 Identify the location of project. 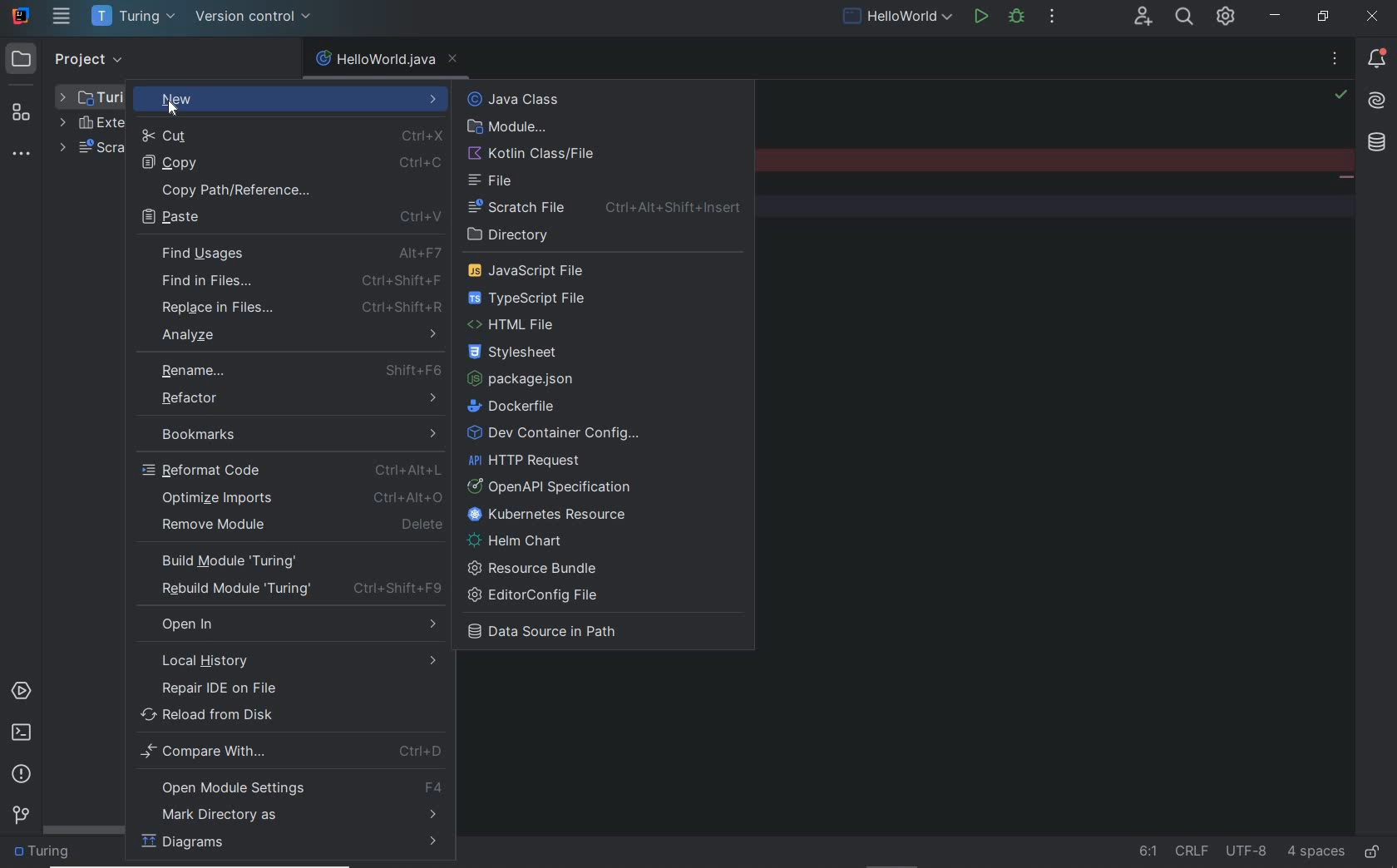
(68, 57).